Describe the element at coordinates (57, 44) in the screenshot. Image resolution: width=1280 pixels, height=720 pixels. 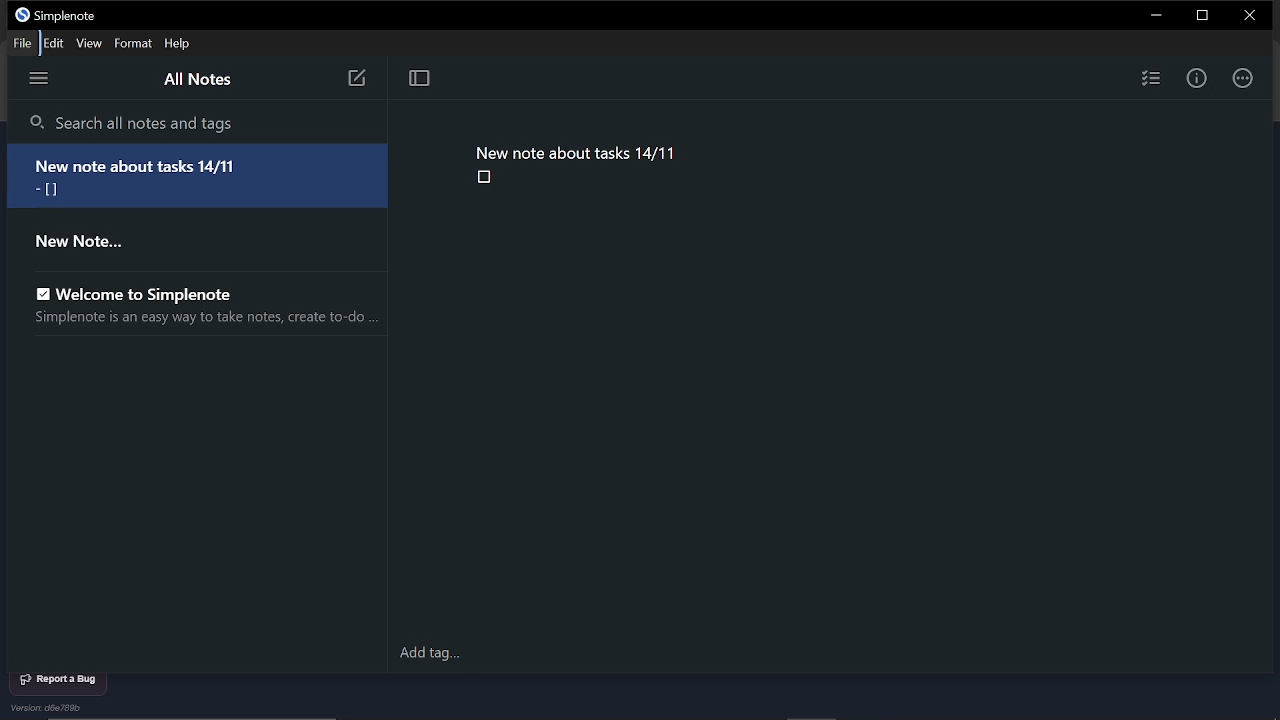
I see `Edit` at that location.